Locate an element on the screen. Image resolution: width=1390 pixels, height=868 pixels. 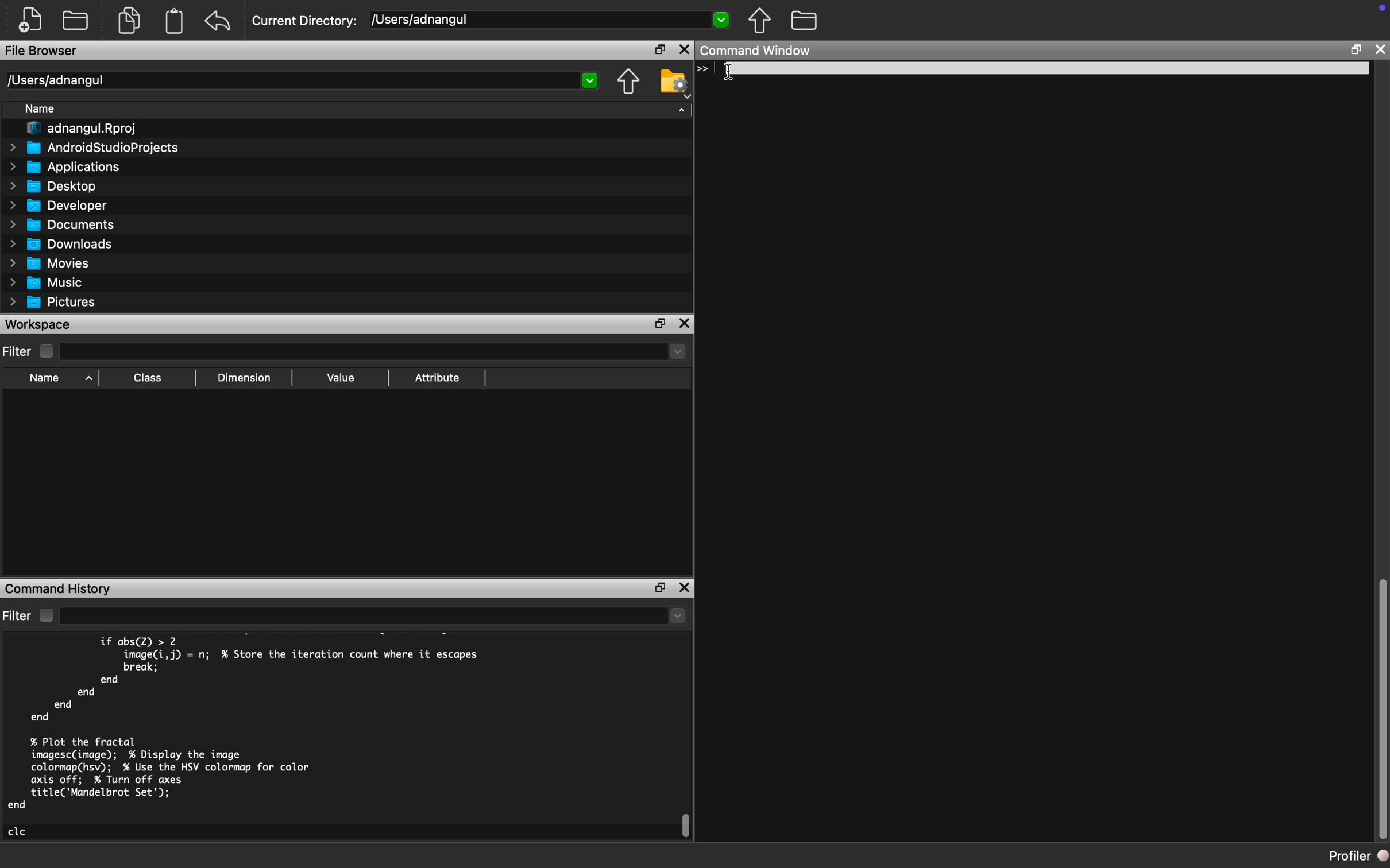
AndroidStudioProjects is located at coordinates (94, 148).